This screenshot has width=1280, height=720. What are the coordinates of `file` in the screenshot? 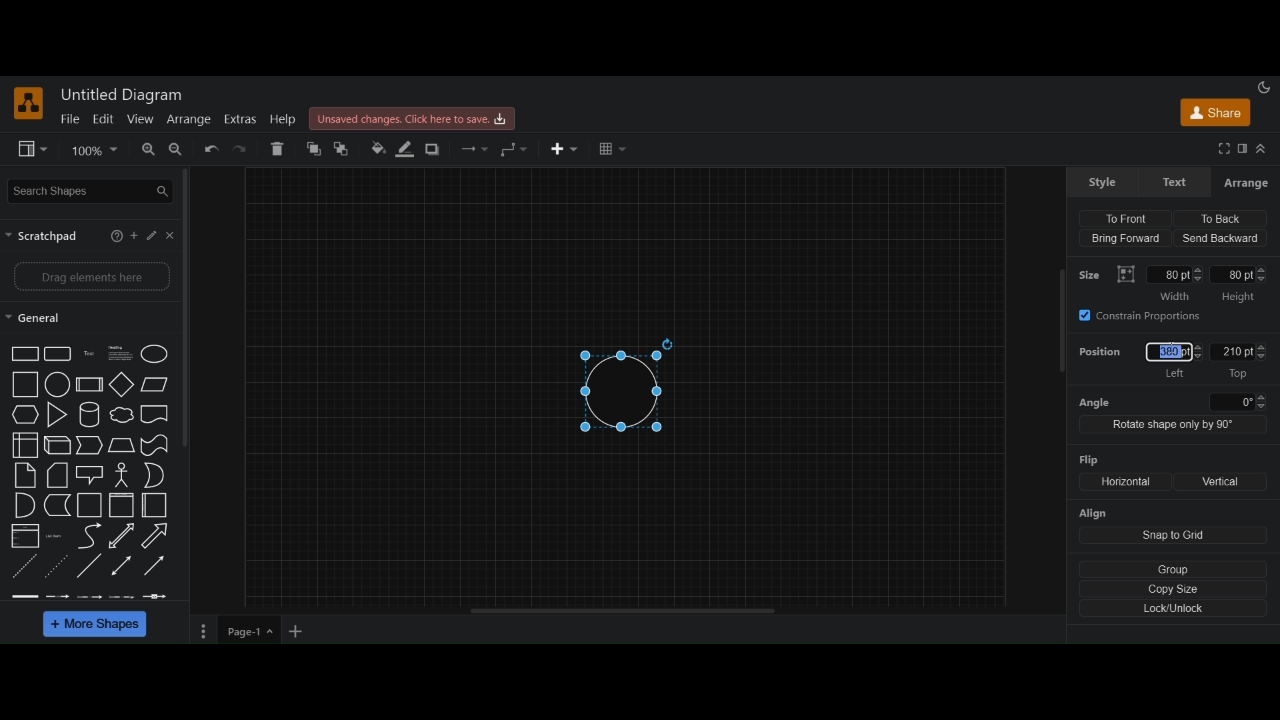 It's located at (70, 119).